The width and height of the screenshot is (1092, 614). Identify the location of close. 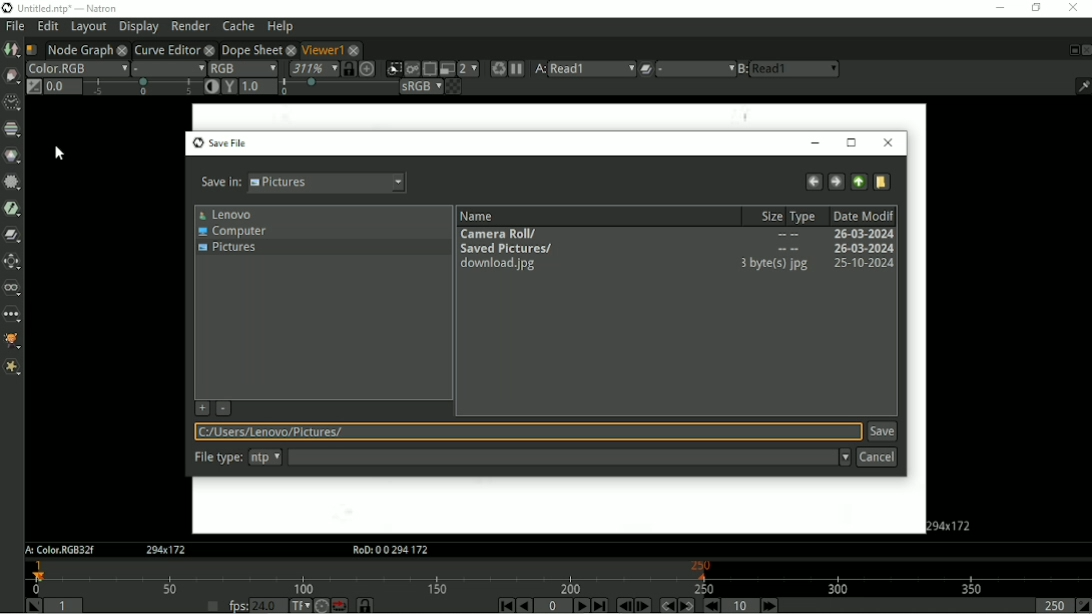
(355, 51).